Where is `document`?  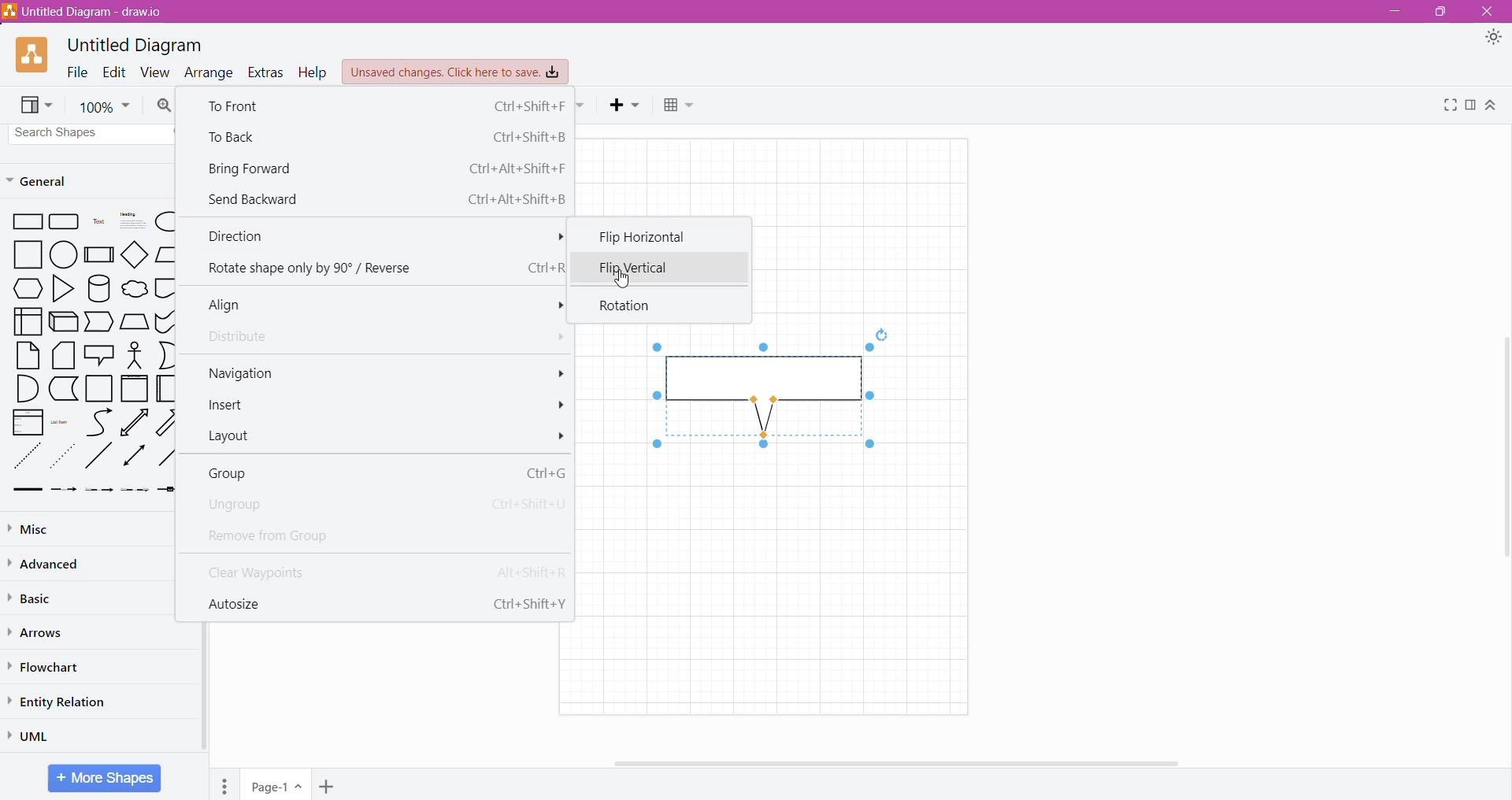
document is located at coordinates (166, 287).